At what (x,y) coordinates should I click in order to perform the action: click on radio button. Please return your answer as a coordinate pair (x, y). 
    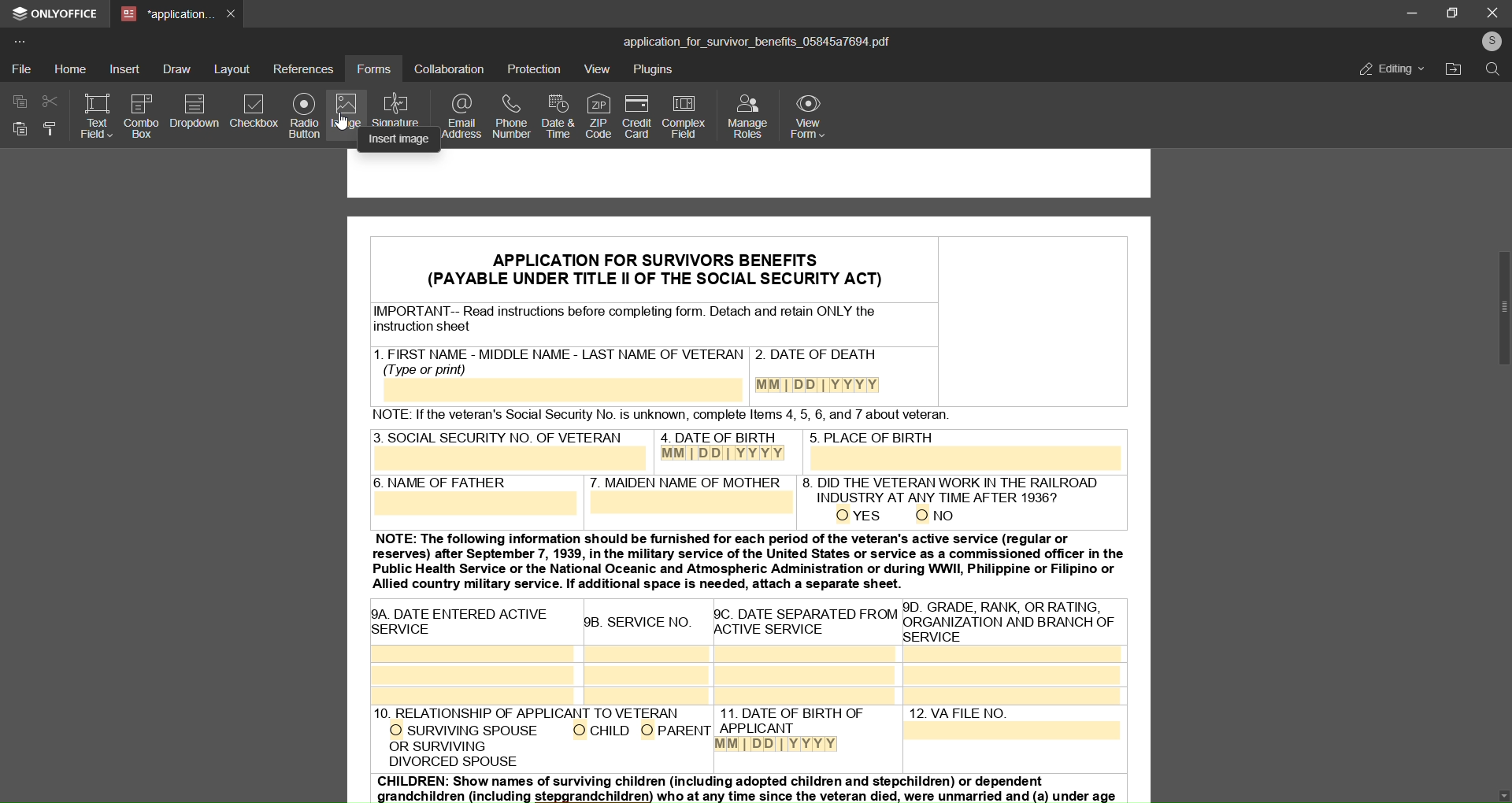
    Looking at the image, I should click on (303, 117).